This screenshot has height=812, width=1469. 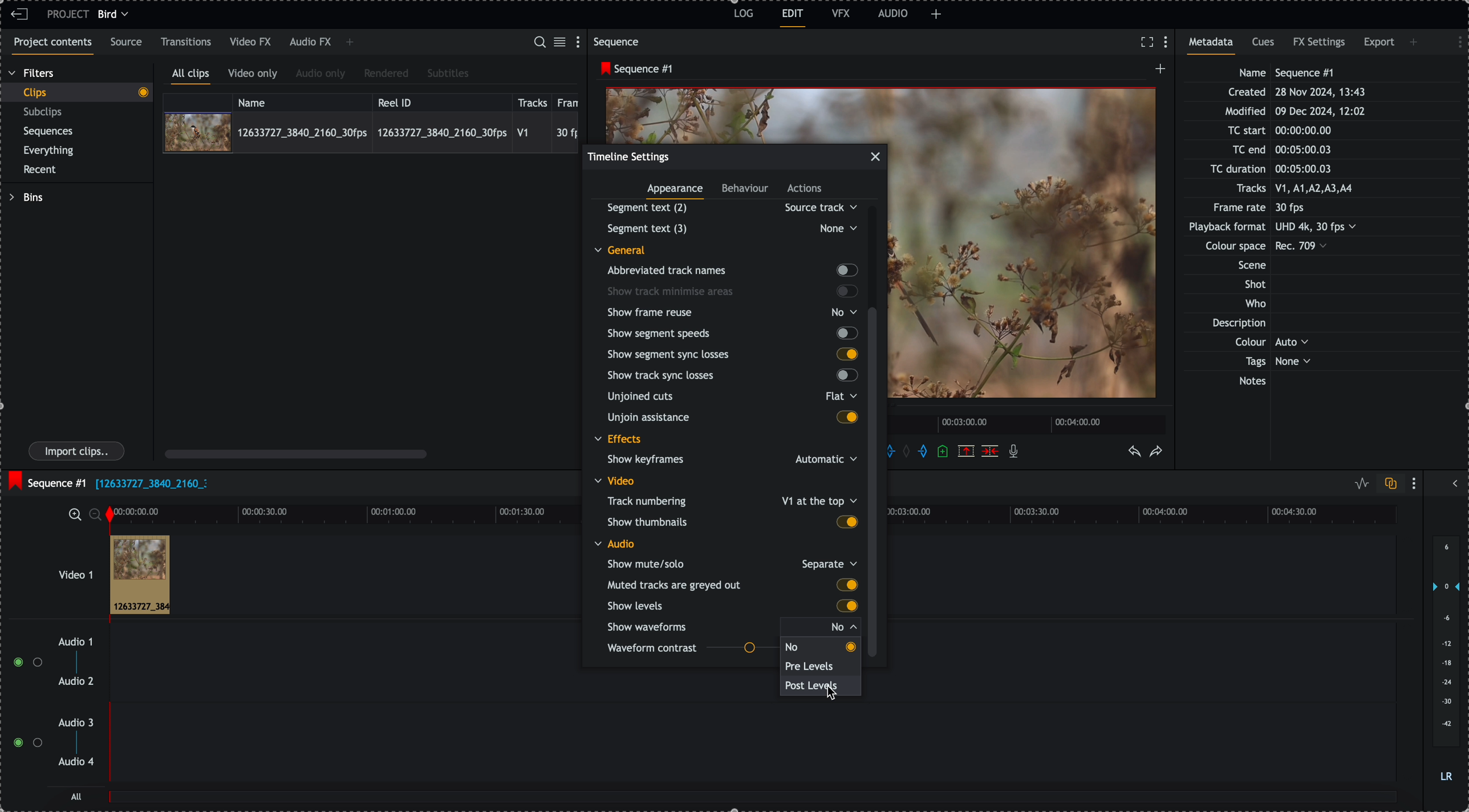 I want to click on click on post levels, so click(x=815, y=689).